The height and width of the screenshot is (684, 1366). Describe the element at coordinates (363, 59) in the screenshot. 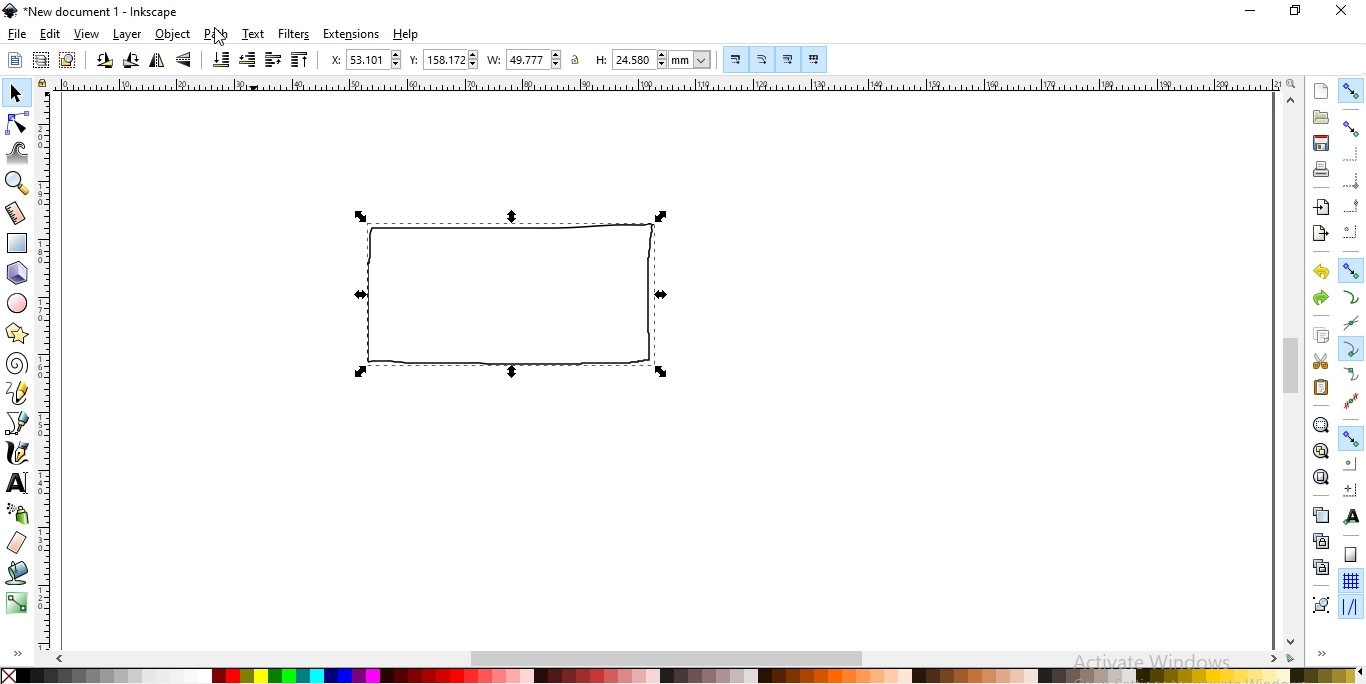

I see `horizontal coordinate of selection` at that location.